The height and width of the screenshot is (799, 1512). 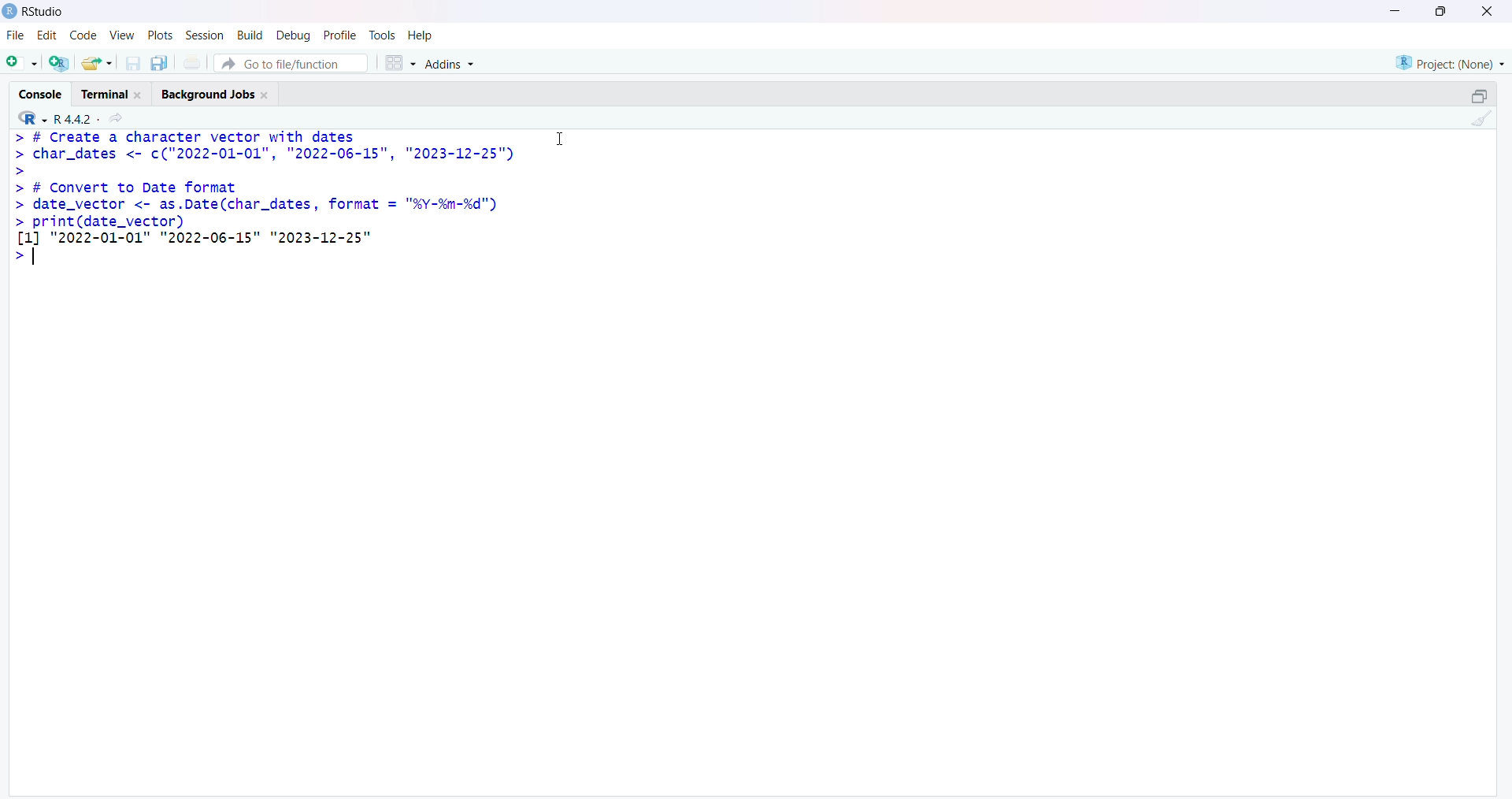 I want to click on Edit, so click(x=46, y=39).